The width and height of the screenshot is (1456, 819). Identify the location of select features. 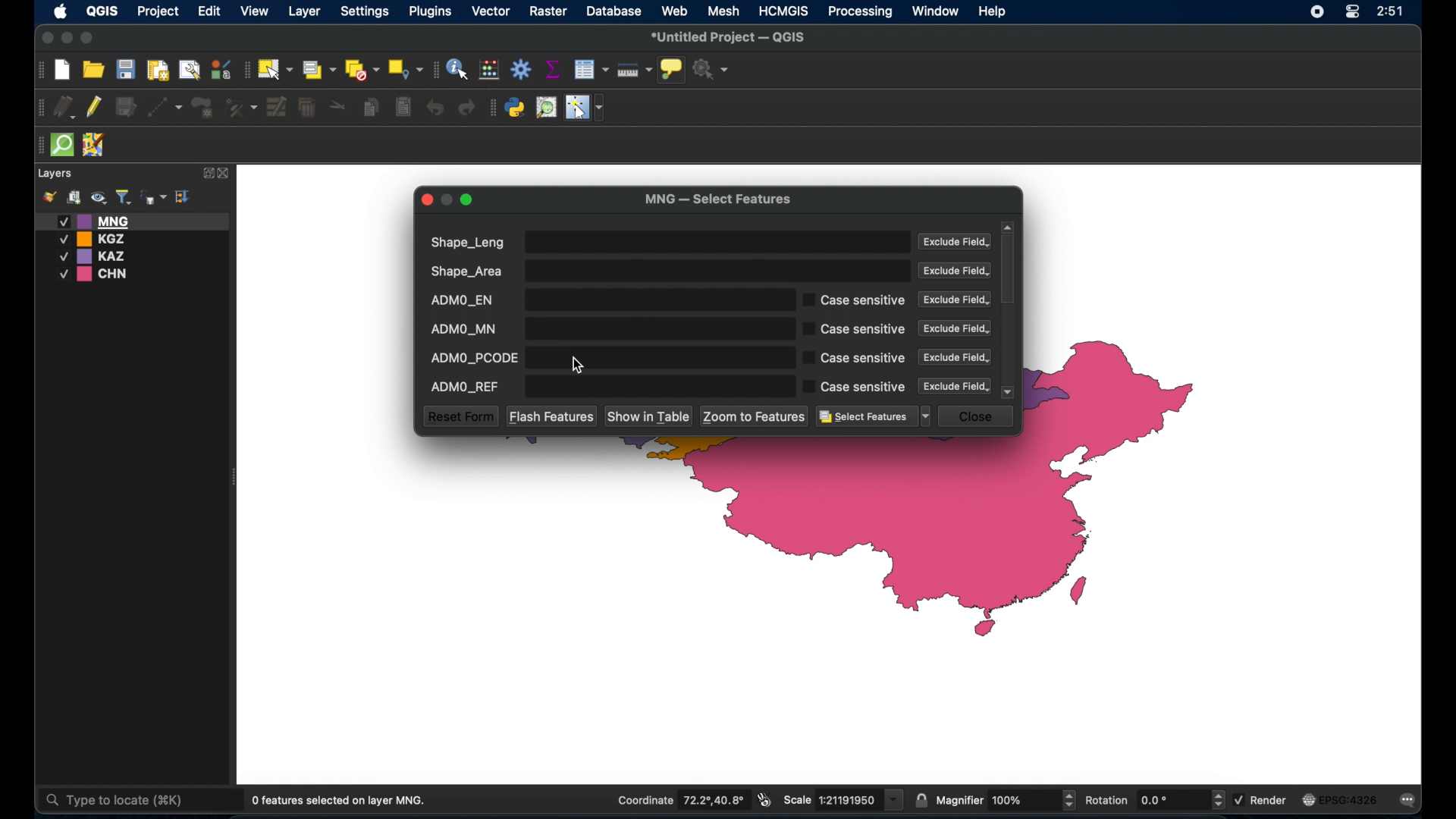
(874, 417).